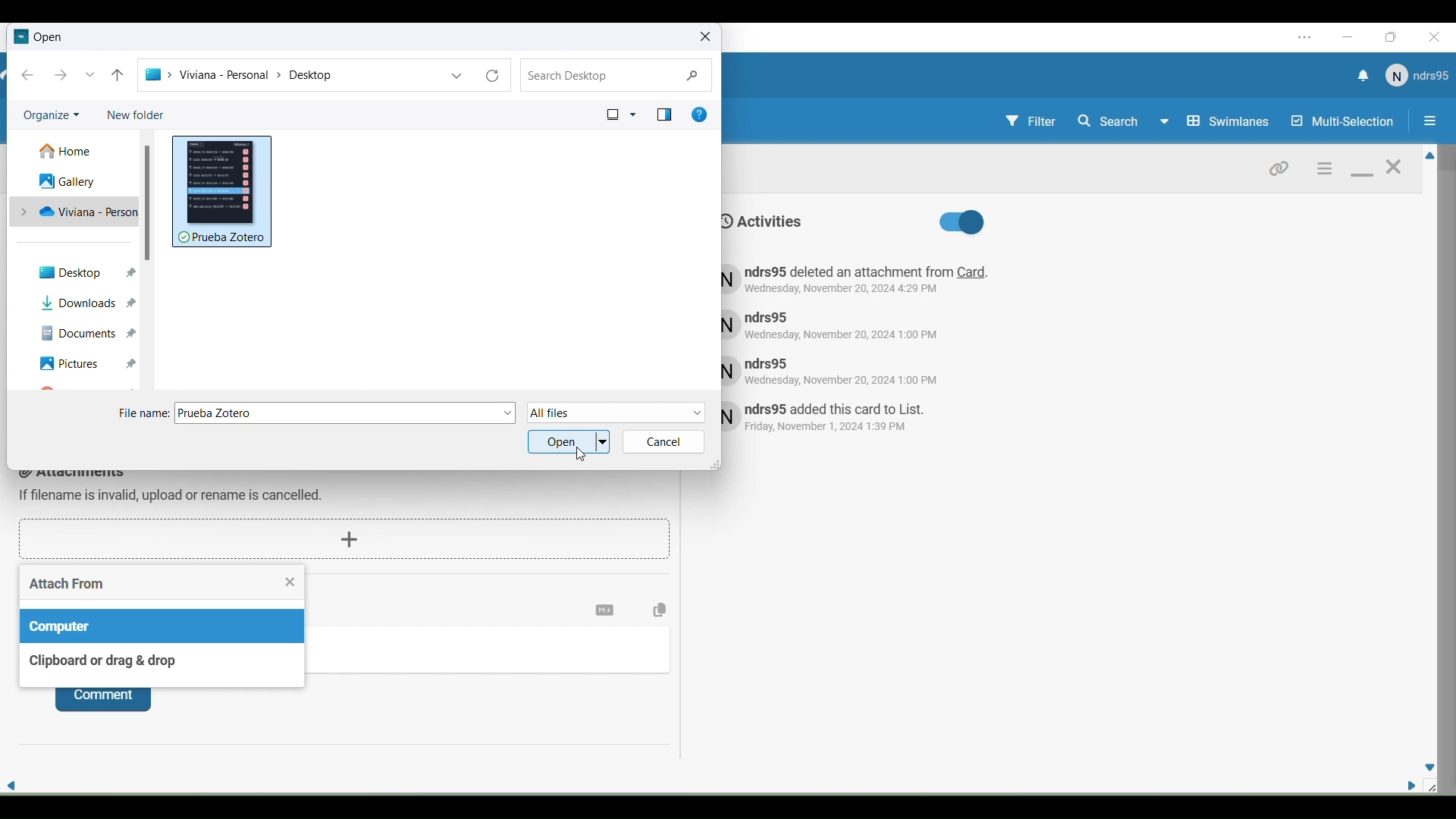 This screenshot has height=819, width=1456. I want to click on Computer, so click(164, 626).